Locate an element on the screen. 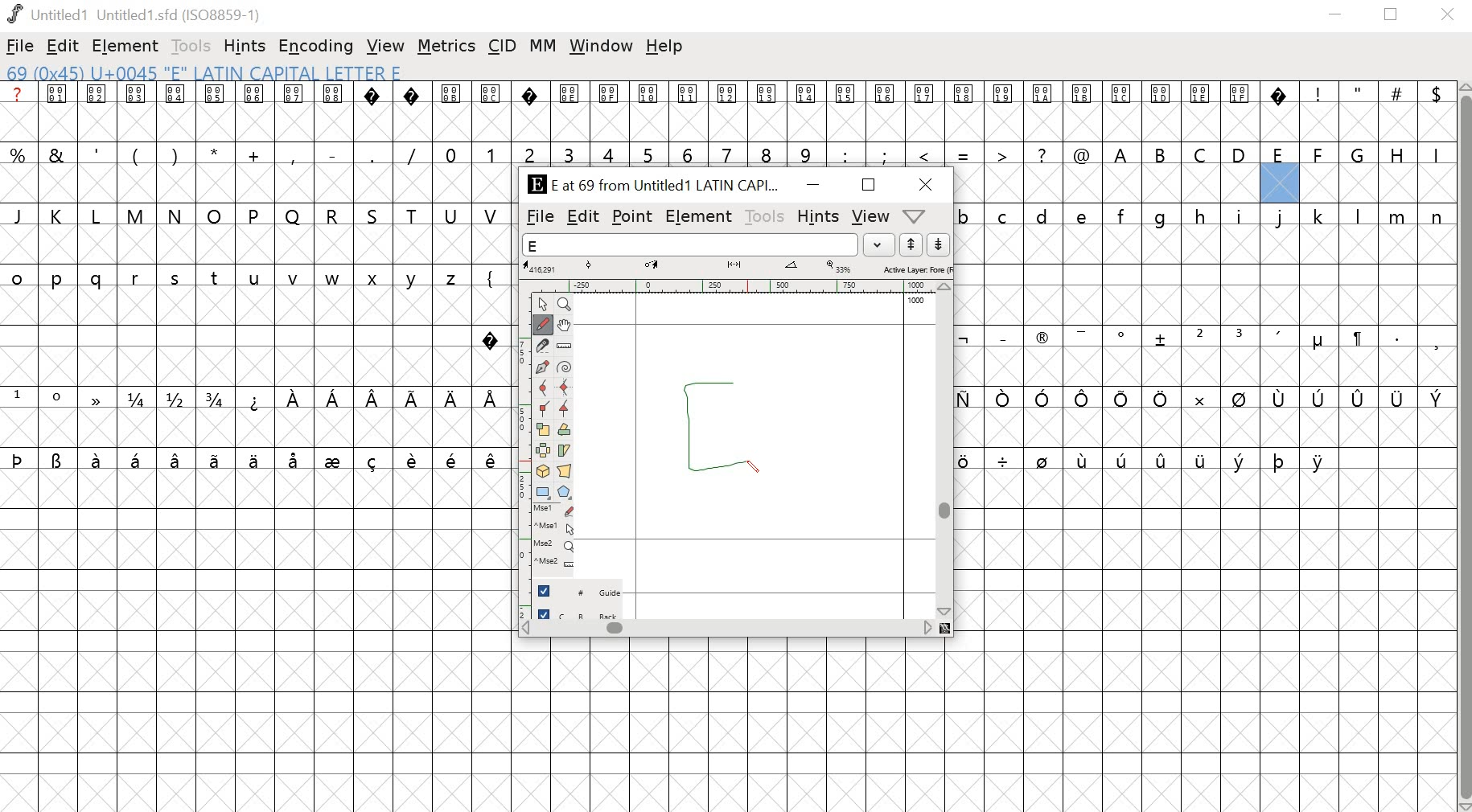 Image resolution: width=1472 pixels, height=812 pixels. back layer is located at coordinates (578, 615).